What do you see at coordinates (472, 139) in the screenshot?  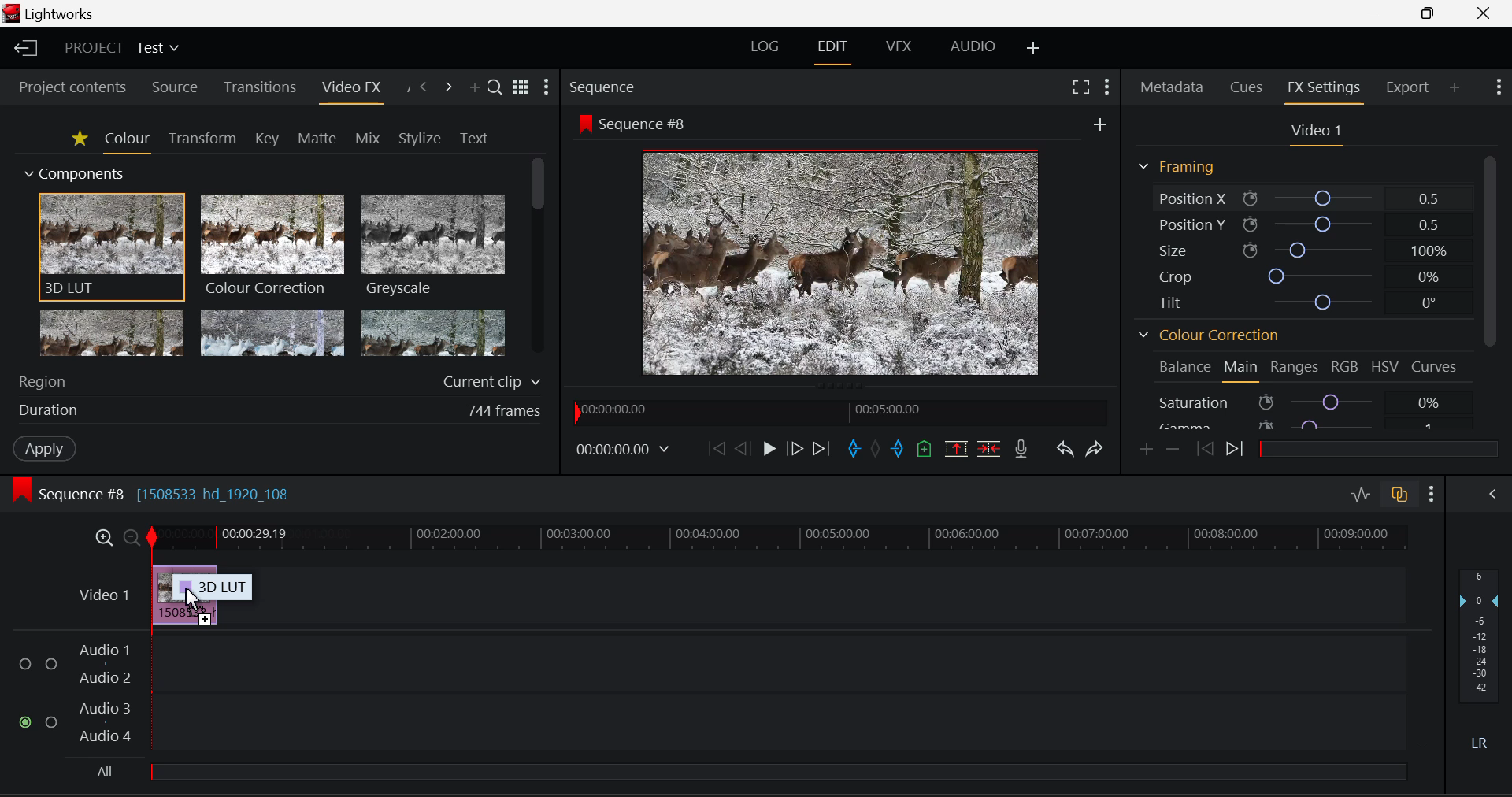 I see `Text` at bounding box center [472, 139].